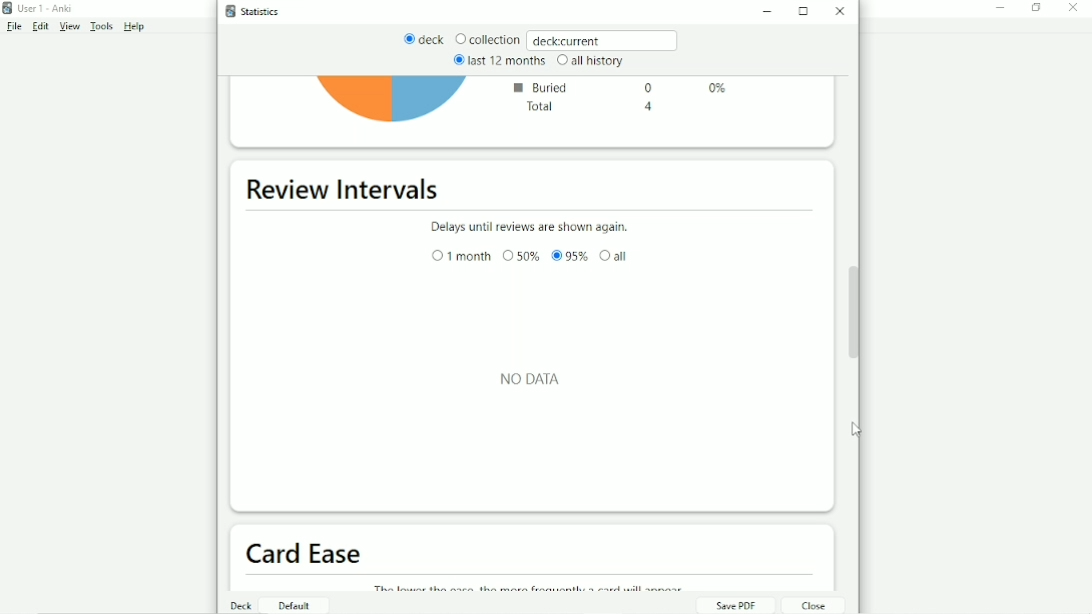 The height and width of the screenshot is (614, 1092). Describe the element at coordinates (771, 13) in the screenshot. I see `Minimize` at that location.